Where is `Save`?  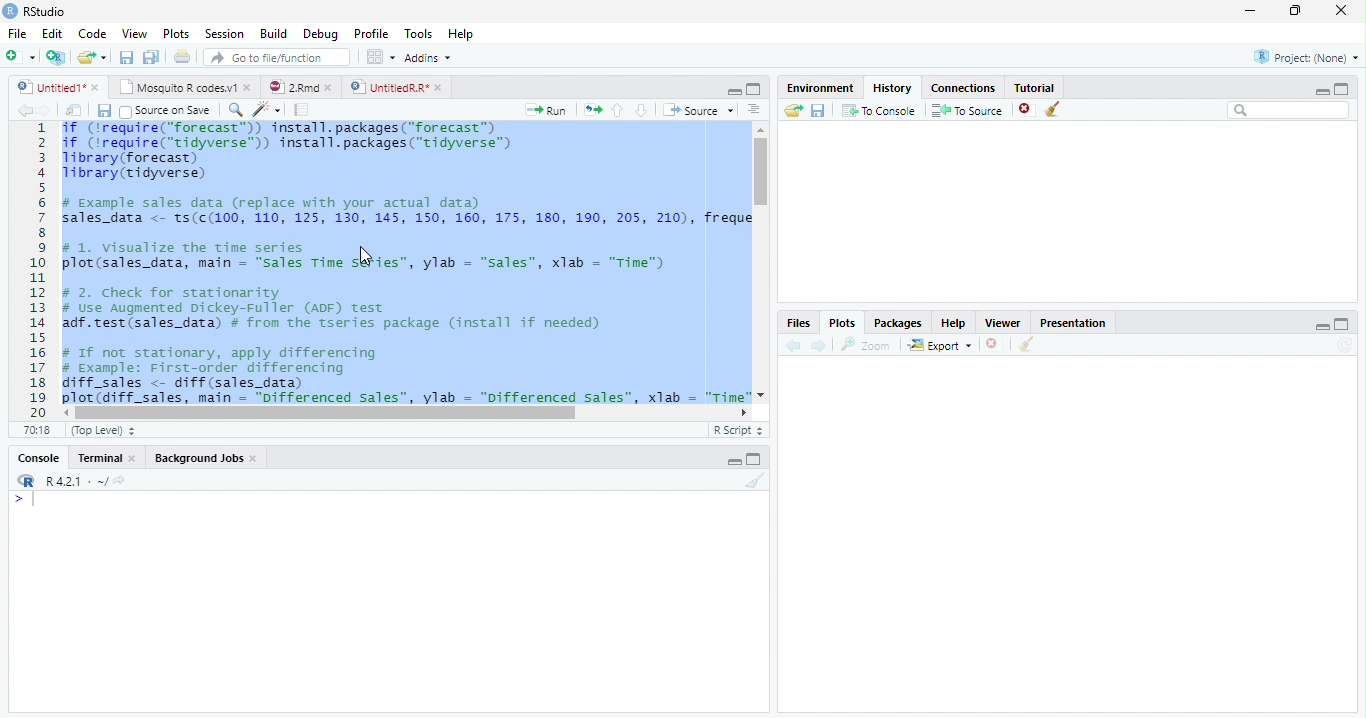
Save is located at coordinates (125, 56).